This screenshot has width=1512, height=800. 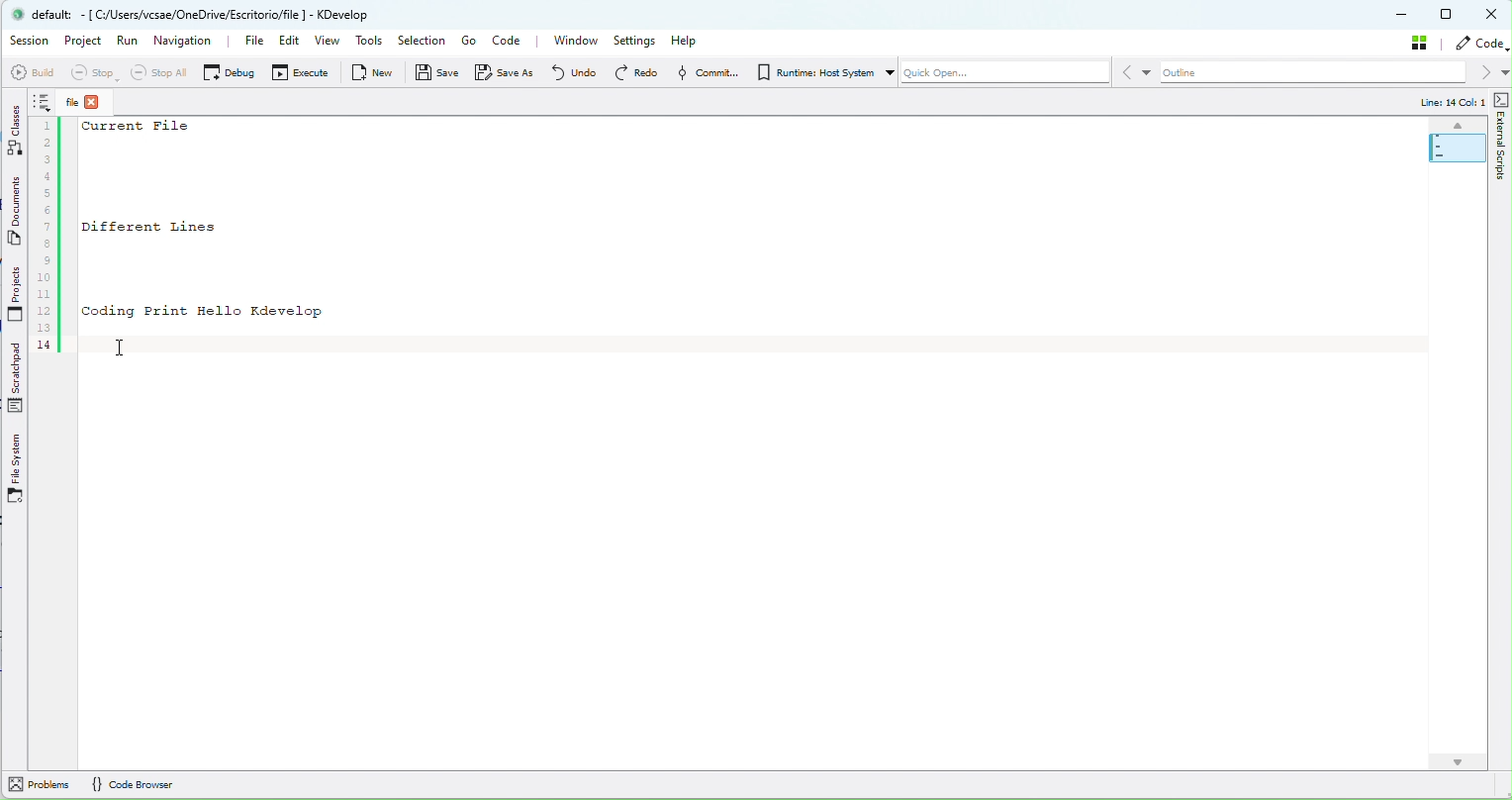 I want to click on Build, so click(x=31, y=72).